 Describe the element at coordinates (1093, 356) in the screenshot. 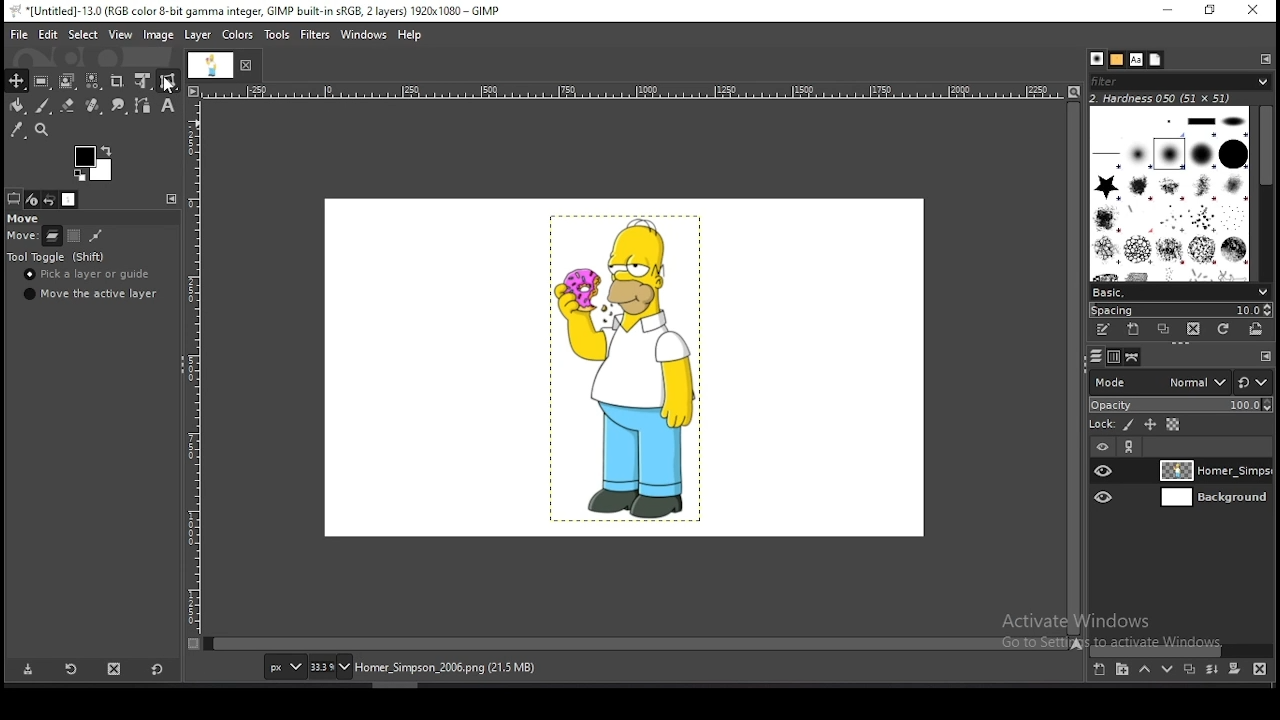

I see `layers` at that location.